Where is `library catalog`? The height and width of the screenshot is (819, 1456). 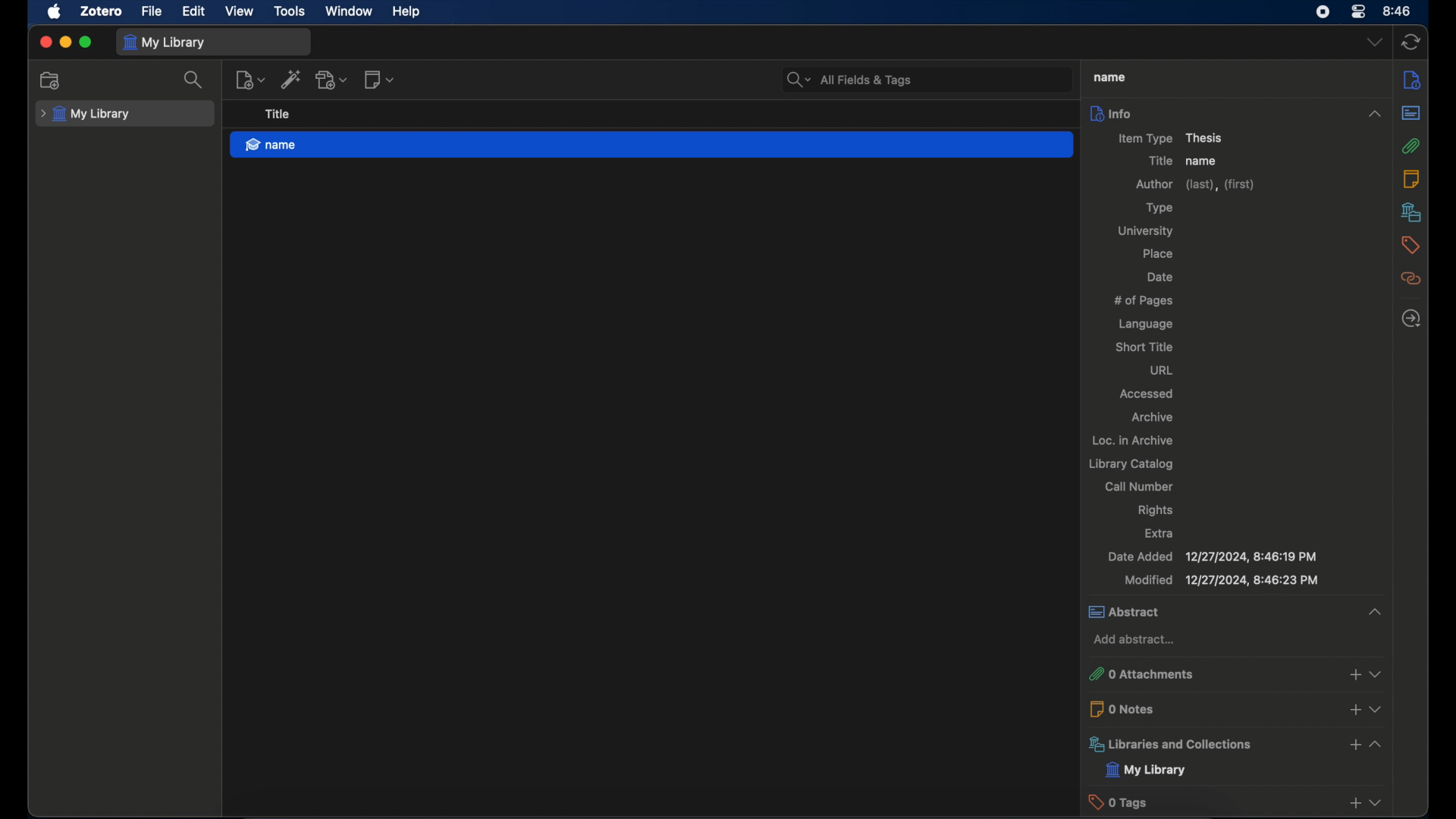 library catalog is located at coordinates (1130, 464).